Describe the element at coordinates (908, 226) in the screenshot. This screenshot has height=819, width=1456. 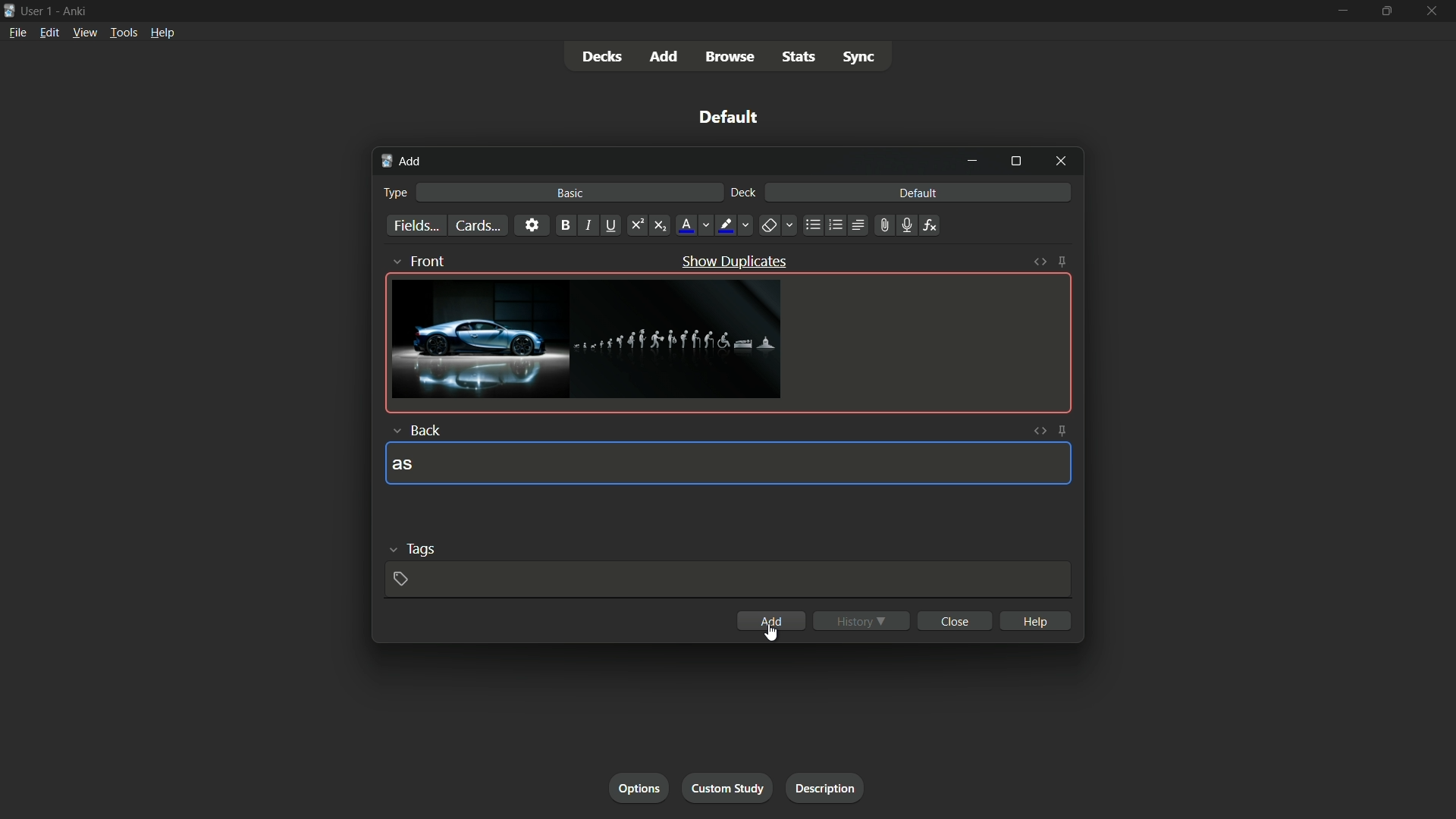
I see `record audio` at that location.